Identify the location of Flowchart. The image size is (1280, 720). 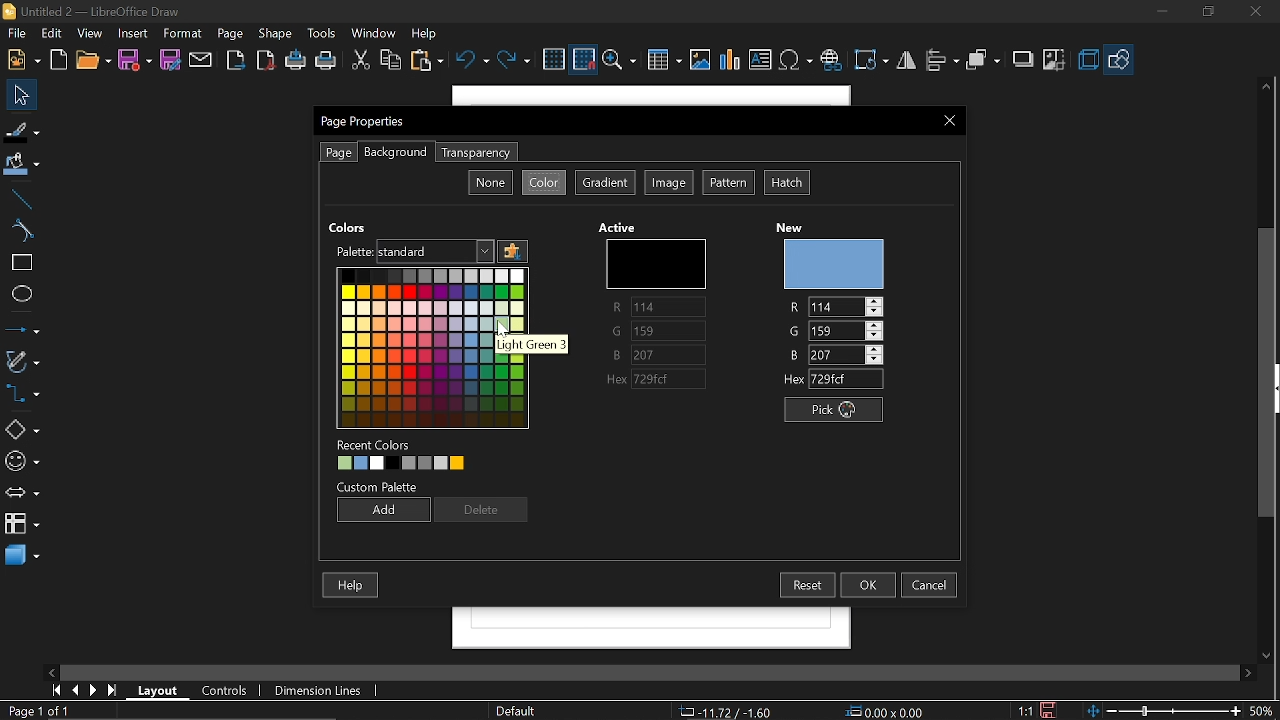
(20, 522).